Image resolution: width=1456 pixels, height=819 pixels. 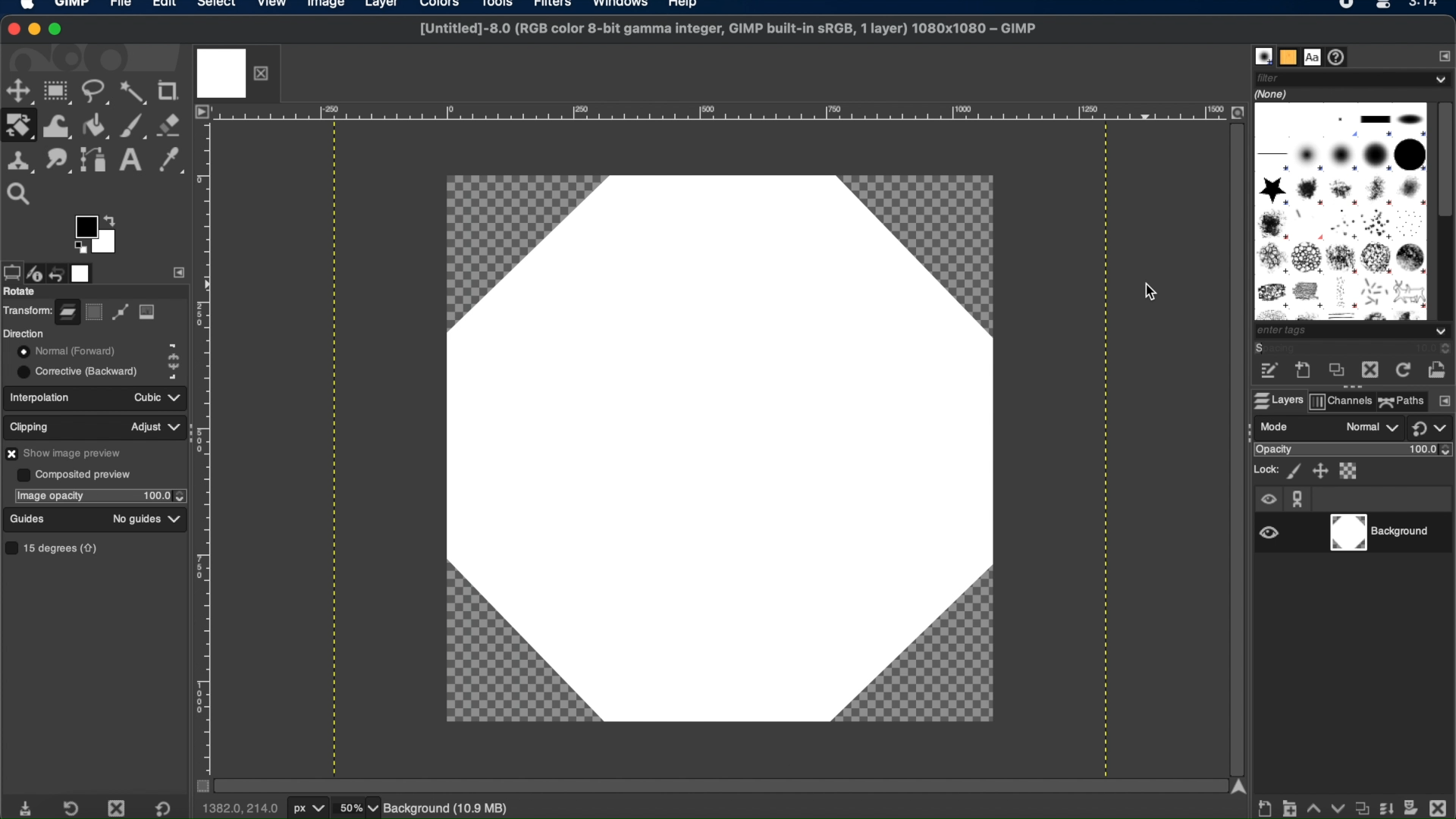 What do you see at coordinates (1235, 445) in the screenshot?
I see `scroll bar` at bounding box center [1235, 445].